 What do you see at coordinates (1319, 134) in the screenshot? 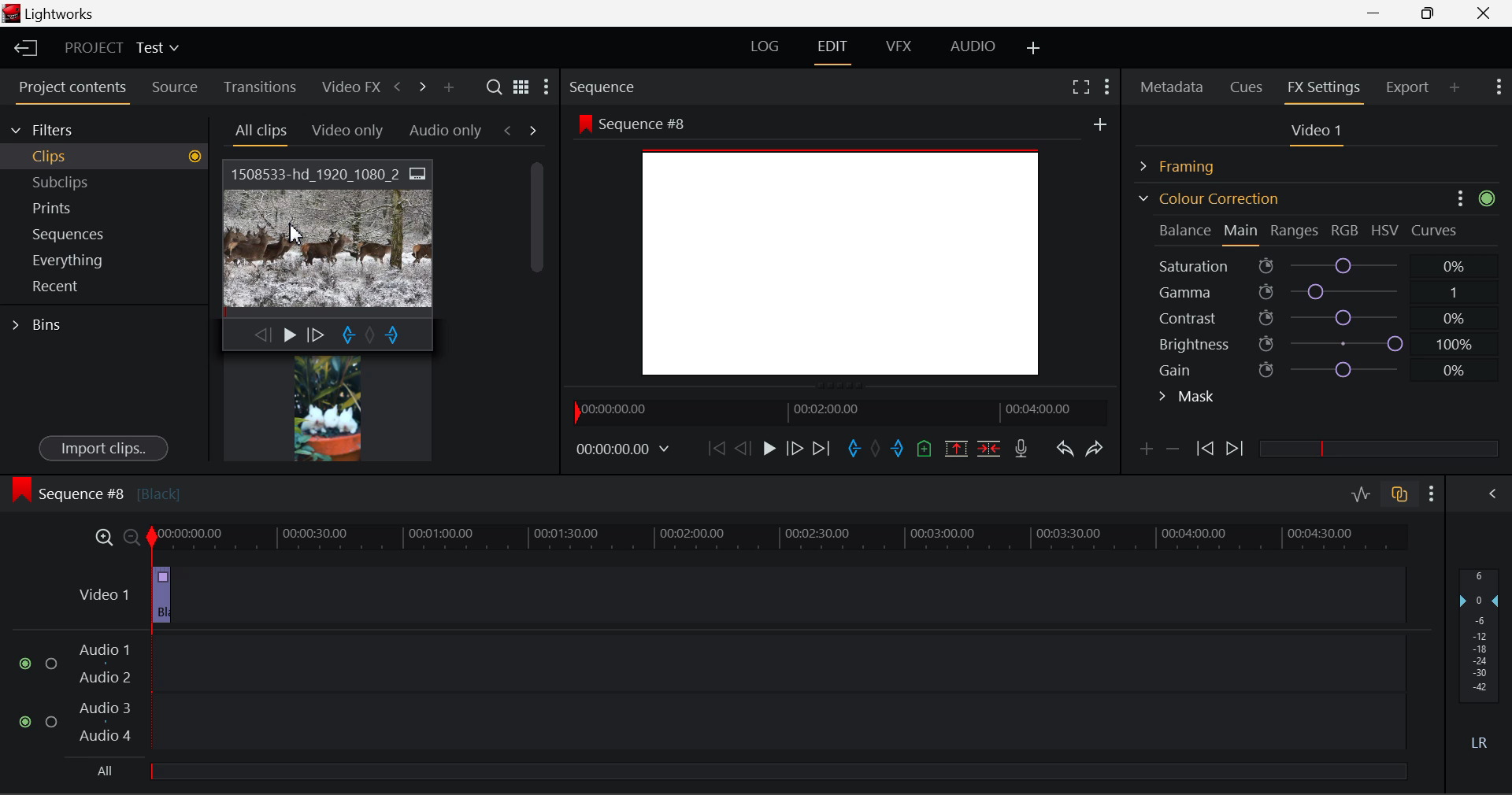
I see `Video 1 Settings` at bounding box center [1319, 134].